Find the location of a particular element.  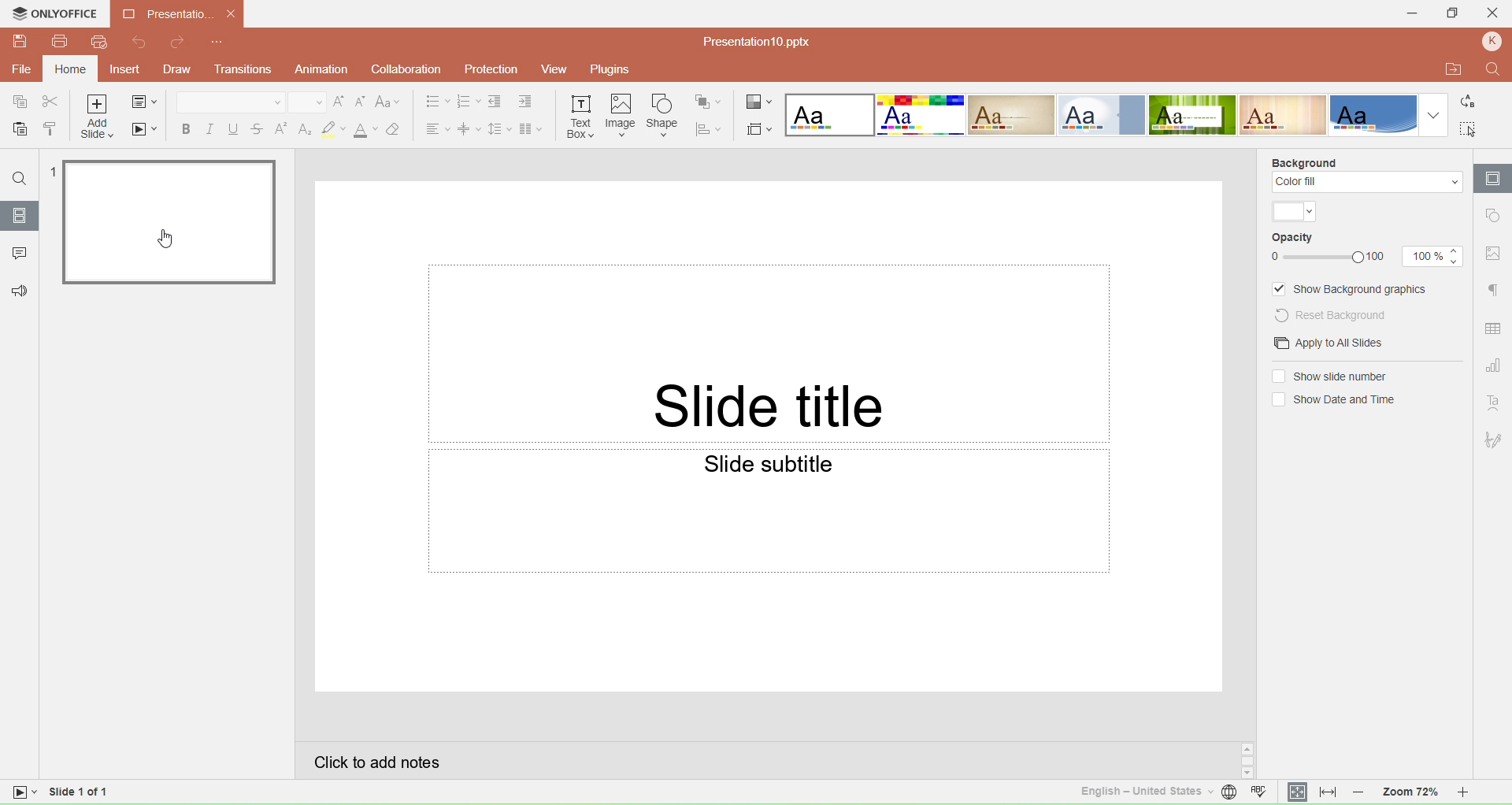

Fit to width is located at coordinates (1328, 792).